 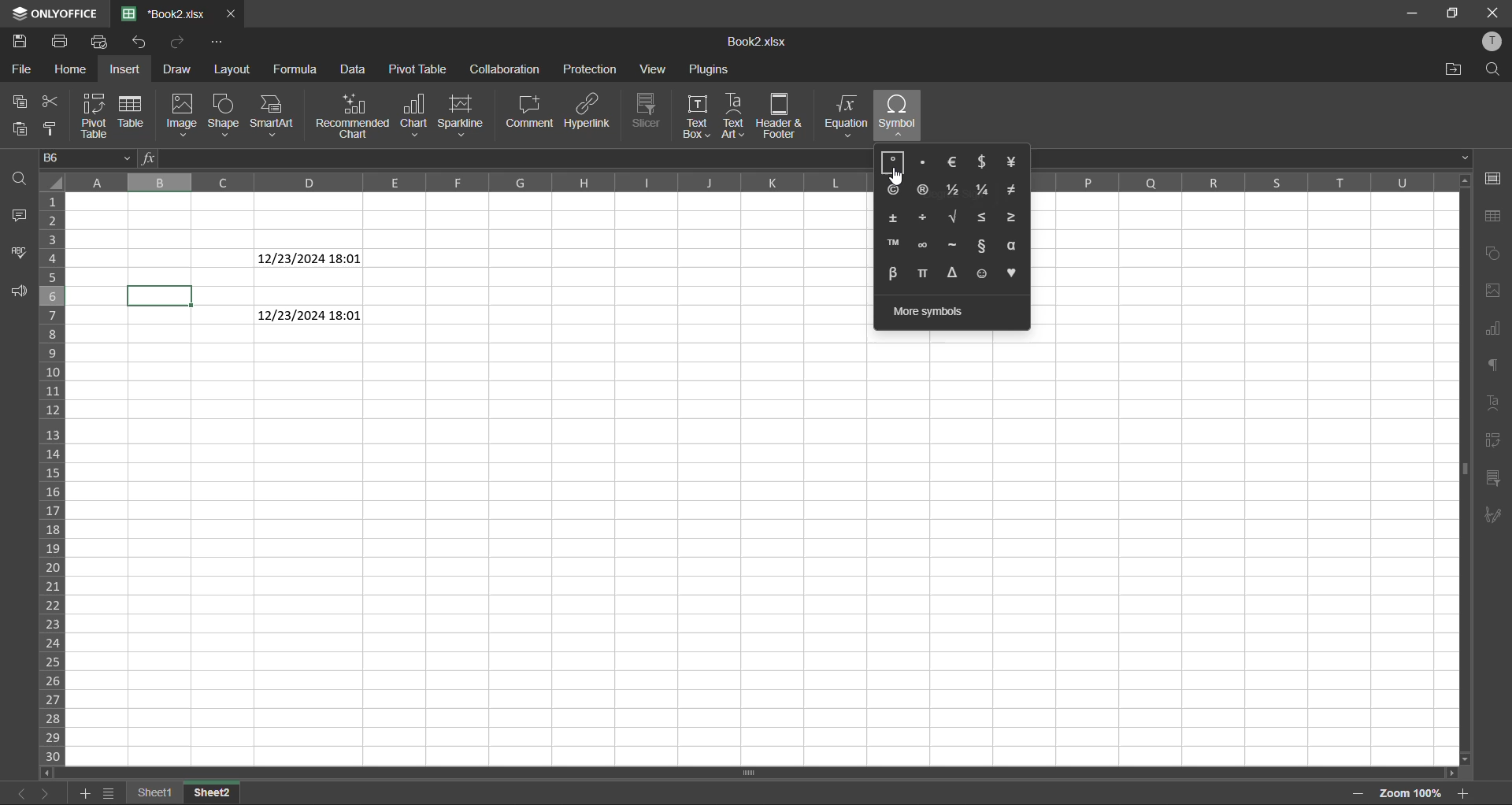 I want to click on slicer, so click(x=651, y=112).